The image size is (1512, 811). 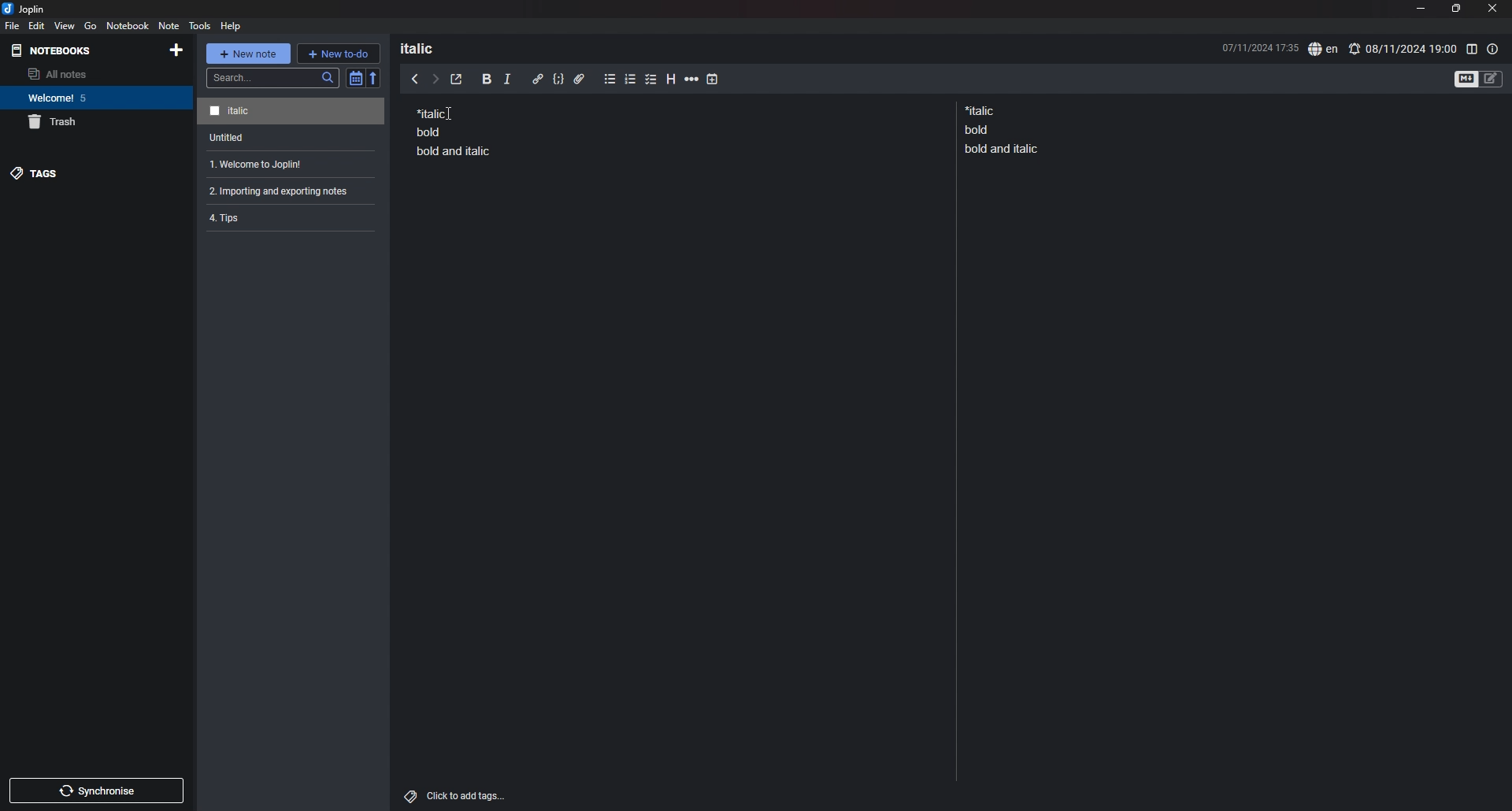 I want to click on notebook, so click(x=94, y=98).